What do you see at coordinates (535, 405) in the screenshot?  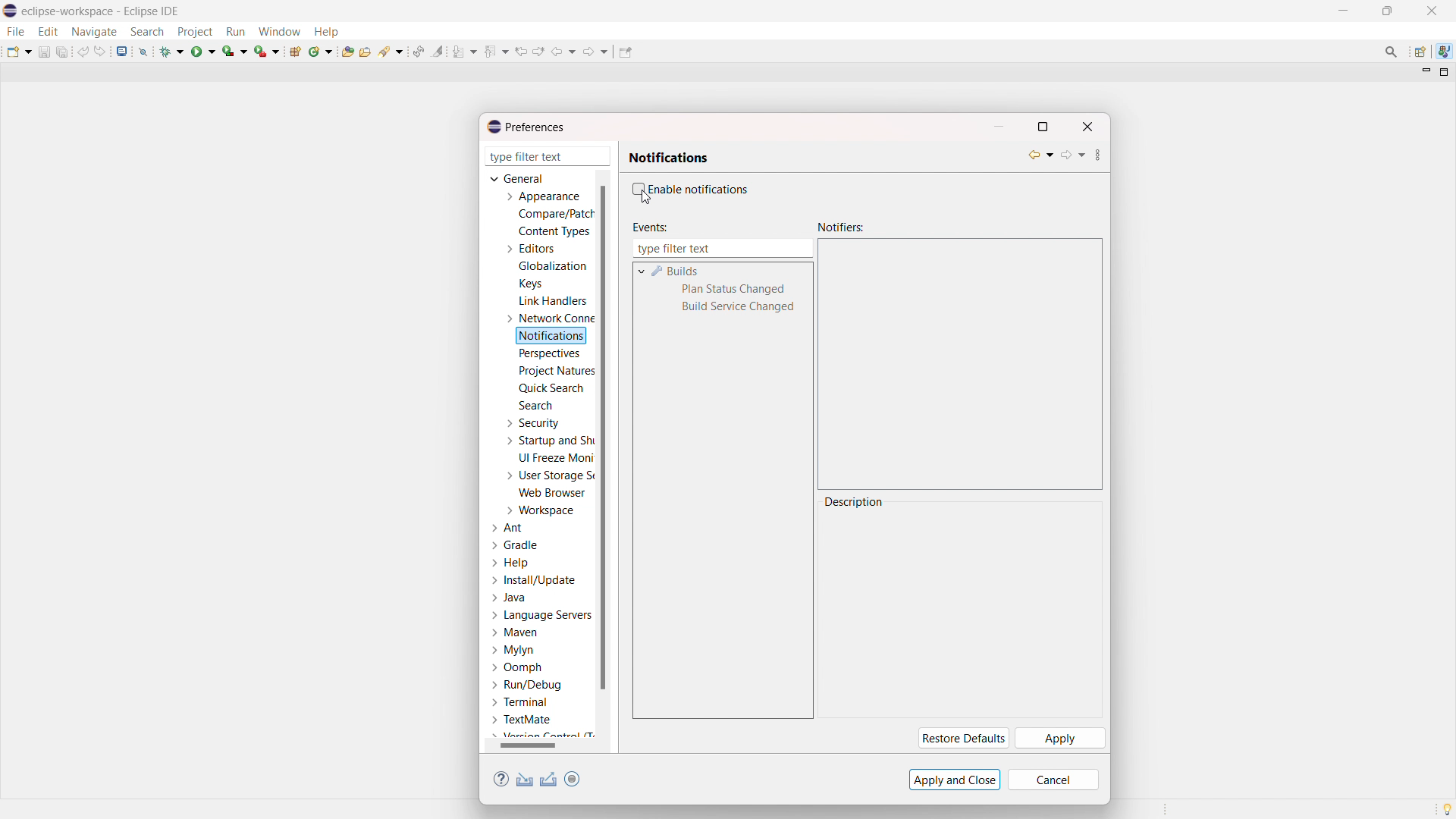 I see `search` at bounding box center [535, 405].